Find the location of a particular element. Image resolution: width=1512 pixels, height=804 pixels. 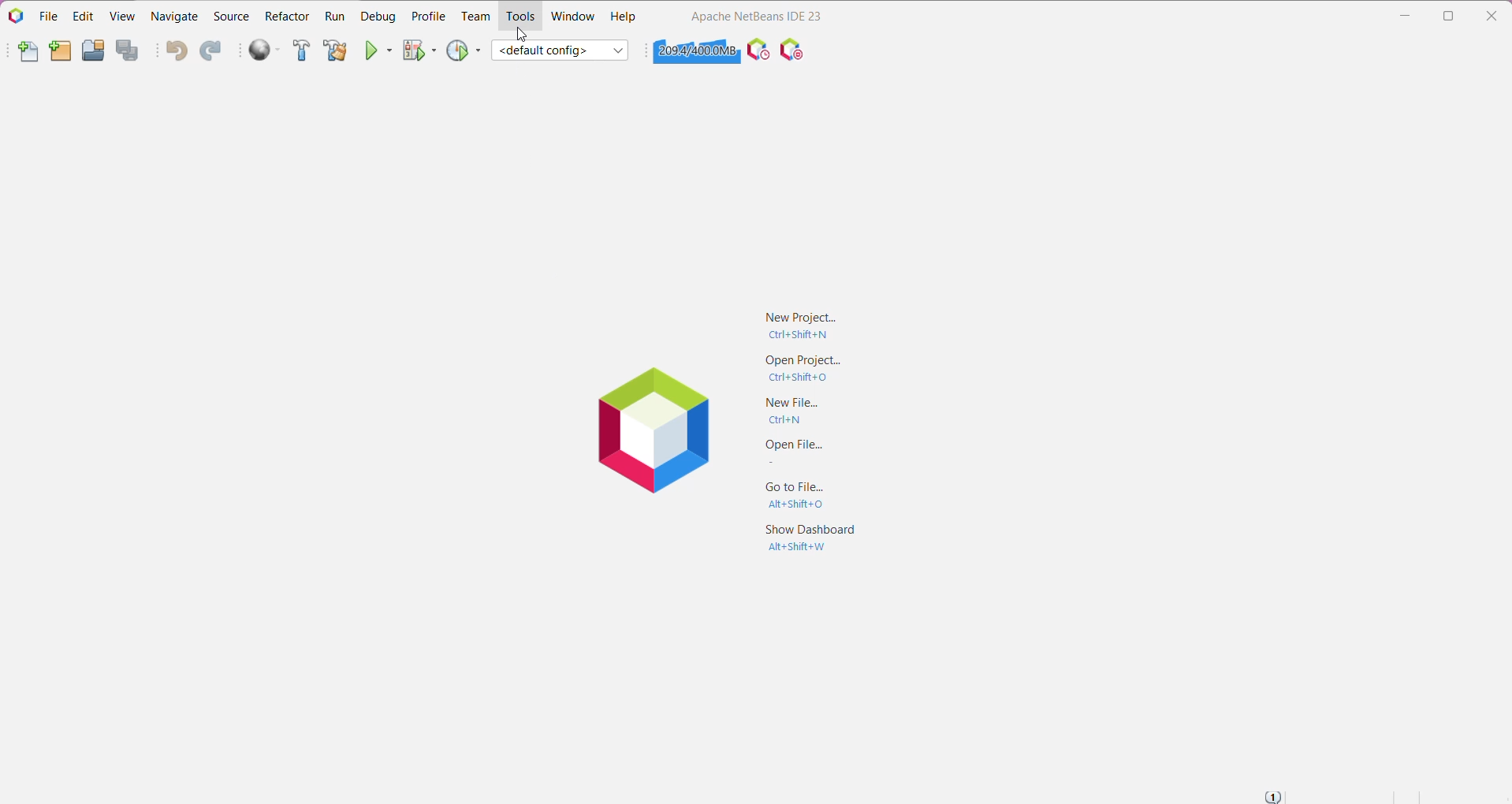

File is located at coordinates (49, 17).